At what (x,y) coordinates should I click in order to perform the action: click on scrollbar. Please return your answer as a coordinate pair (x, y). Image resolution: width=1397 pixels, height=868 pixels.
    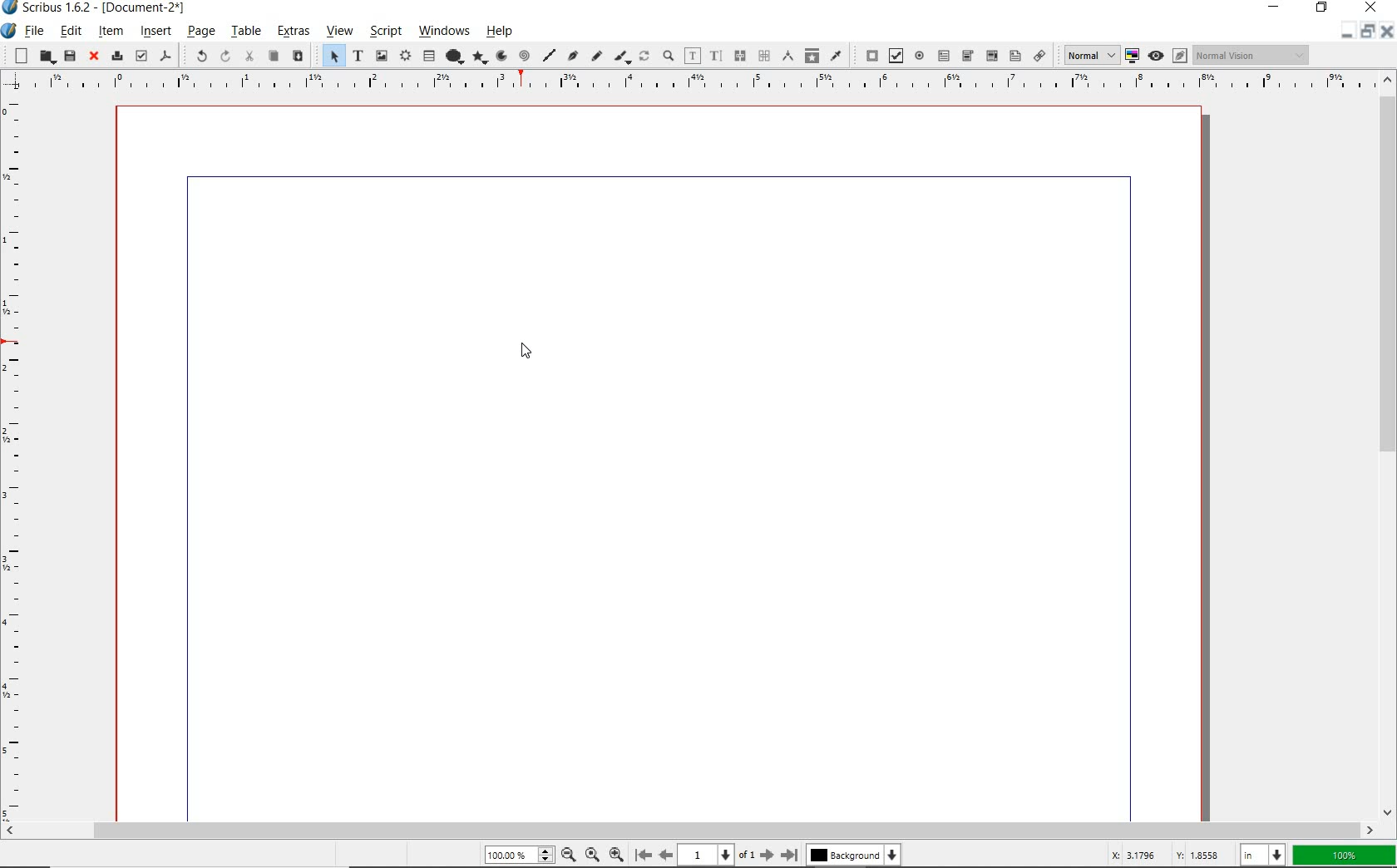
    Looking at the image, I should click on (689, 831).